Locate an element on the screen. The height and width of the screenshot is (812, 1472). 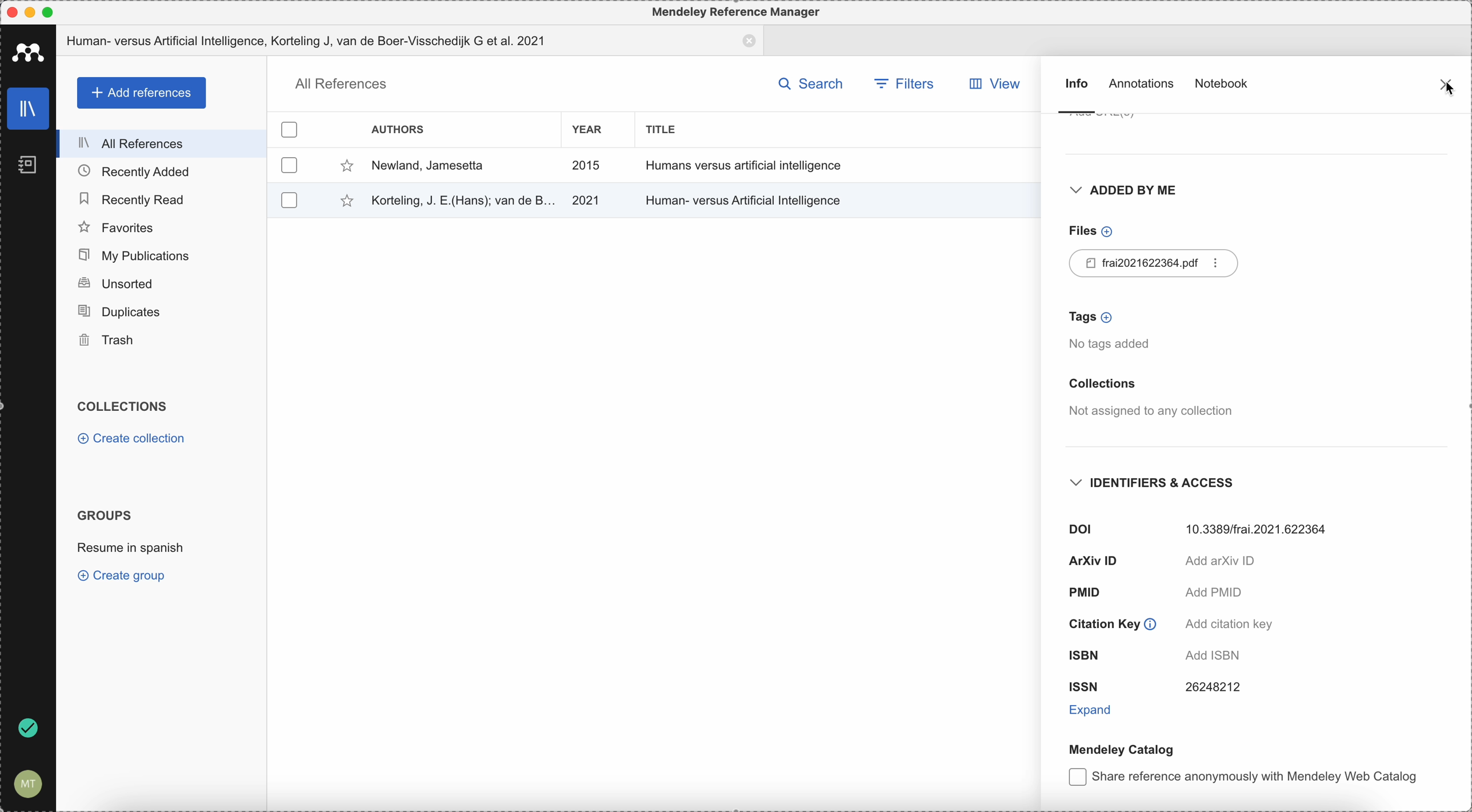
view is located at coordinates (1000, 84).